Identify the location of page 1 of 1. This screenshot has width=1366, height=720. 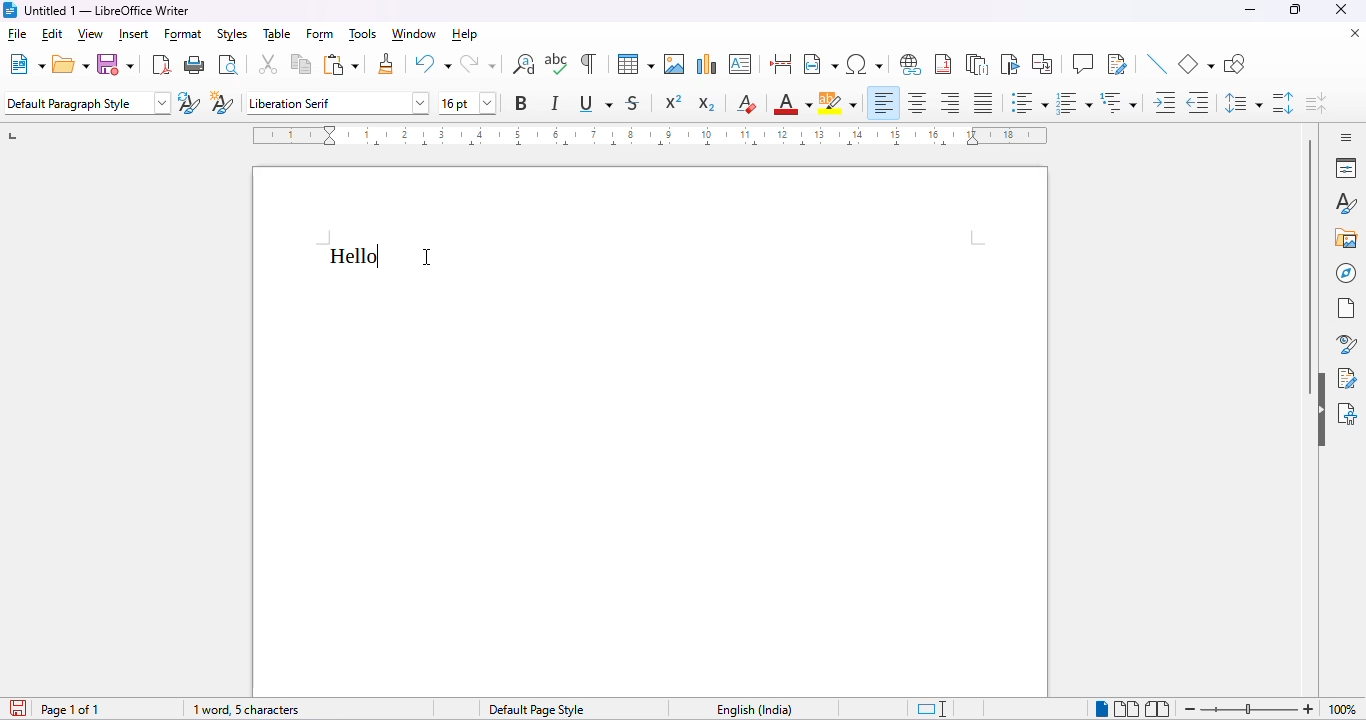
(72, 710).